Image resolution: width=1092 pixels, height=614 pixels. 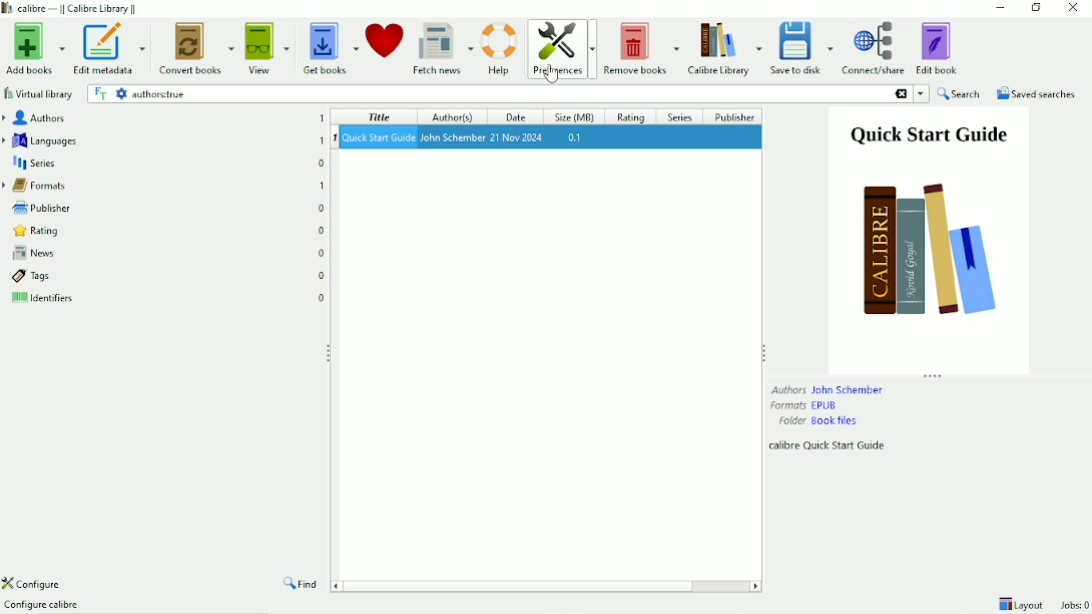 I want to click on Search, so click(x=961, y=94).